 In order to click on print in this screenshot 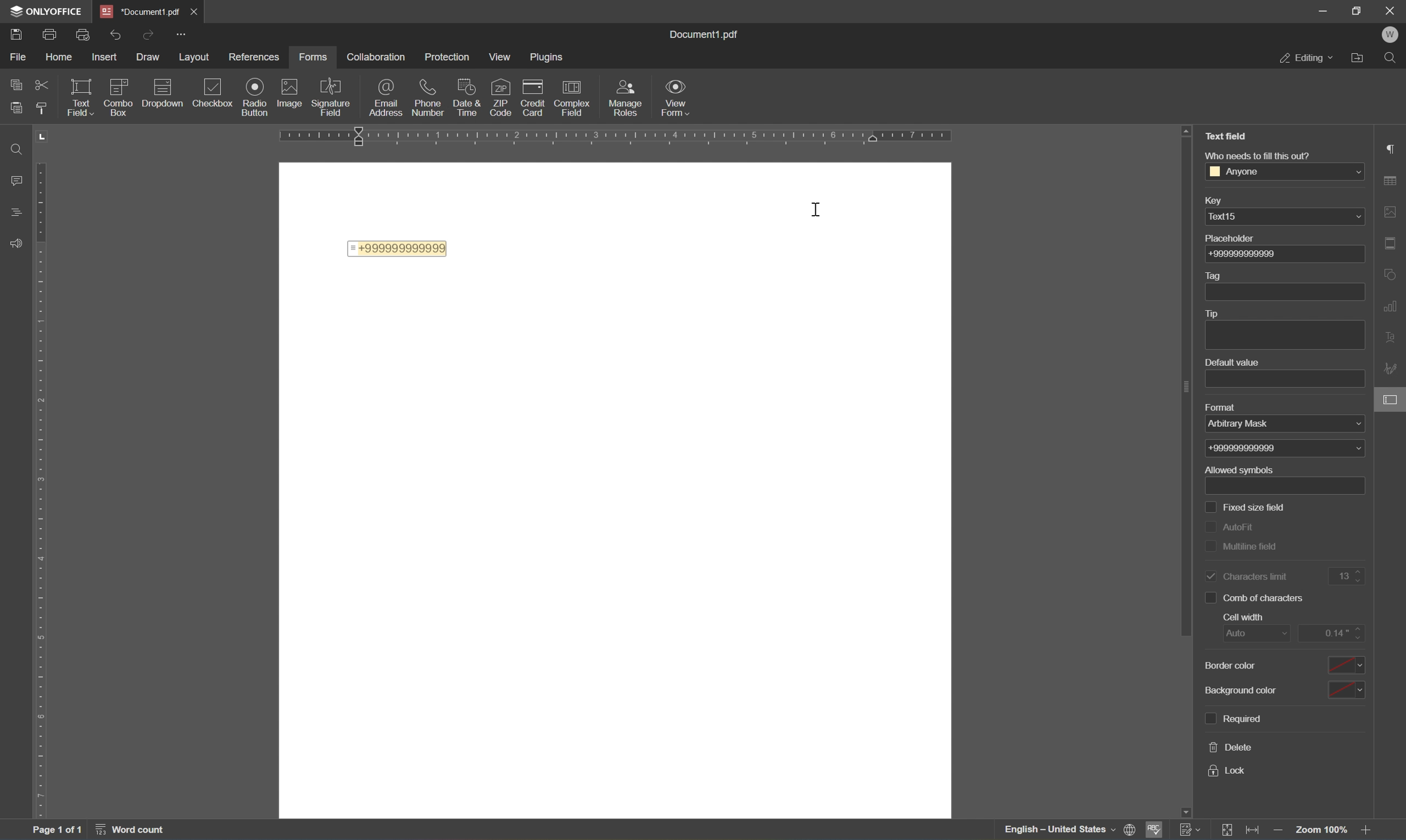, I will do `click(84, 36)`.